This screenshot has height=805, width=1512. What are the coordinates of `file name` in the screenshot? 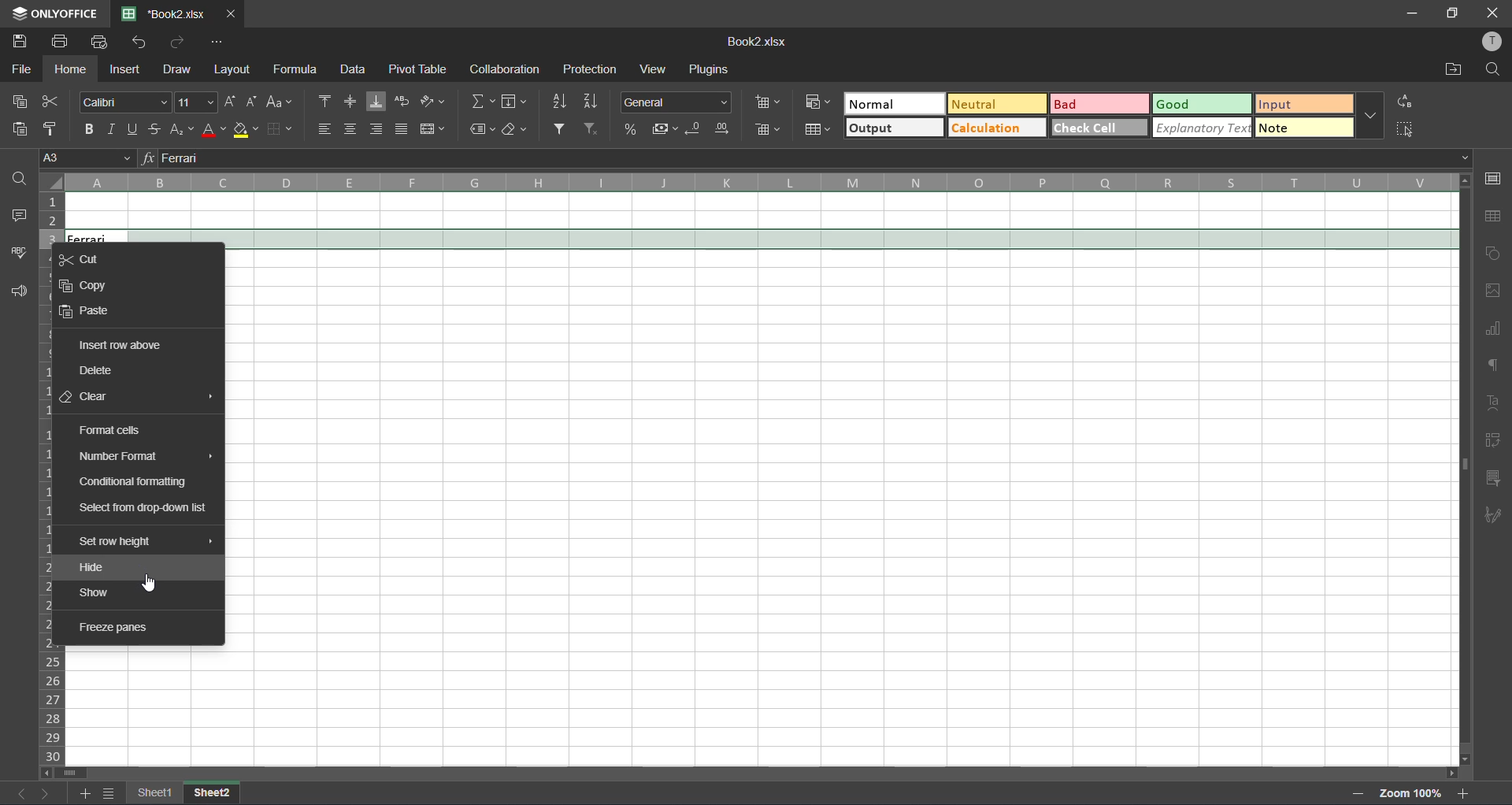 It's located at (759, 42).